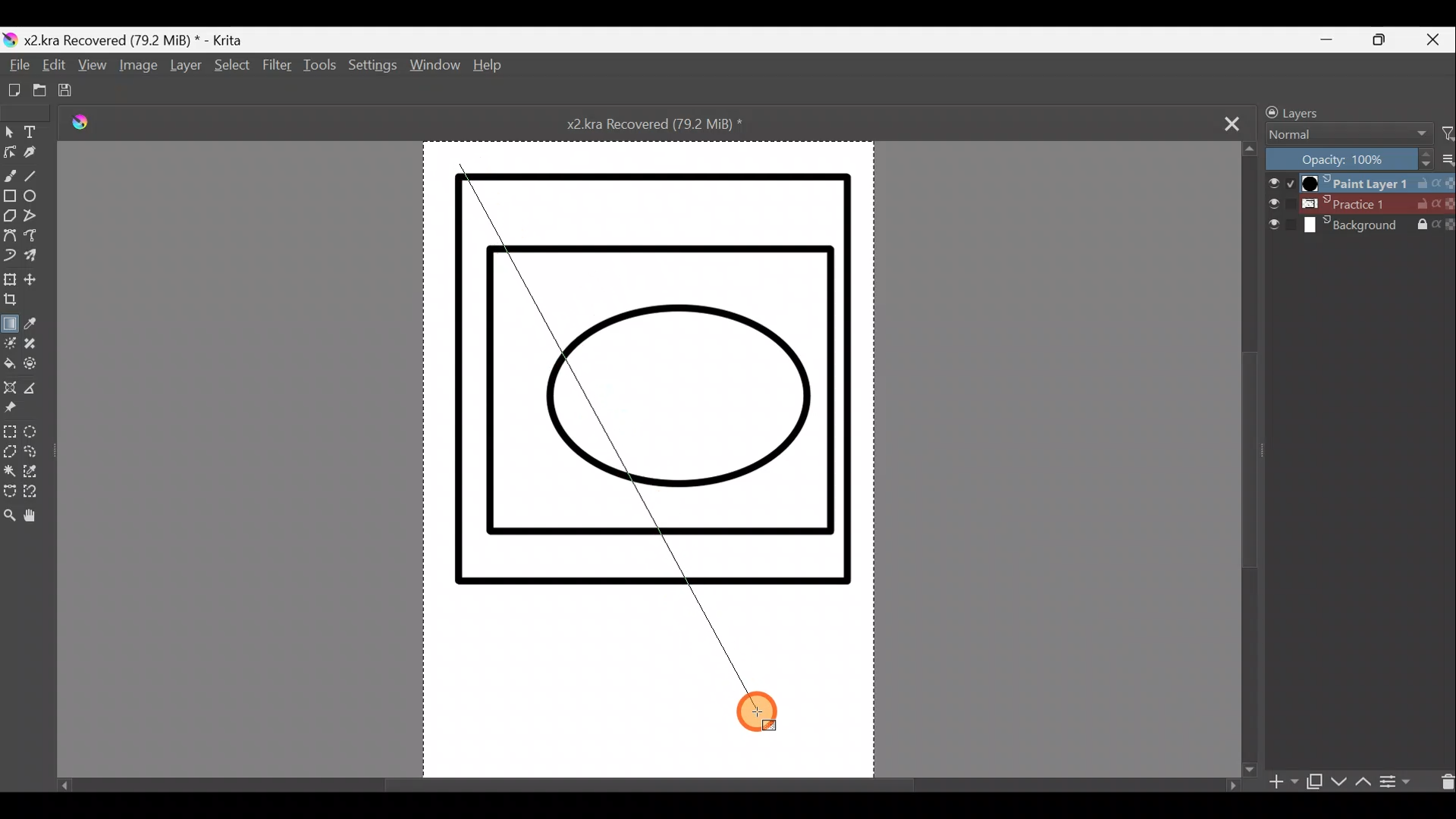 This screenshot has width=1456, height=819. I want to click on Move layer/mask up, so click(1361, 782).